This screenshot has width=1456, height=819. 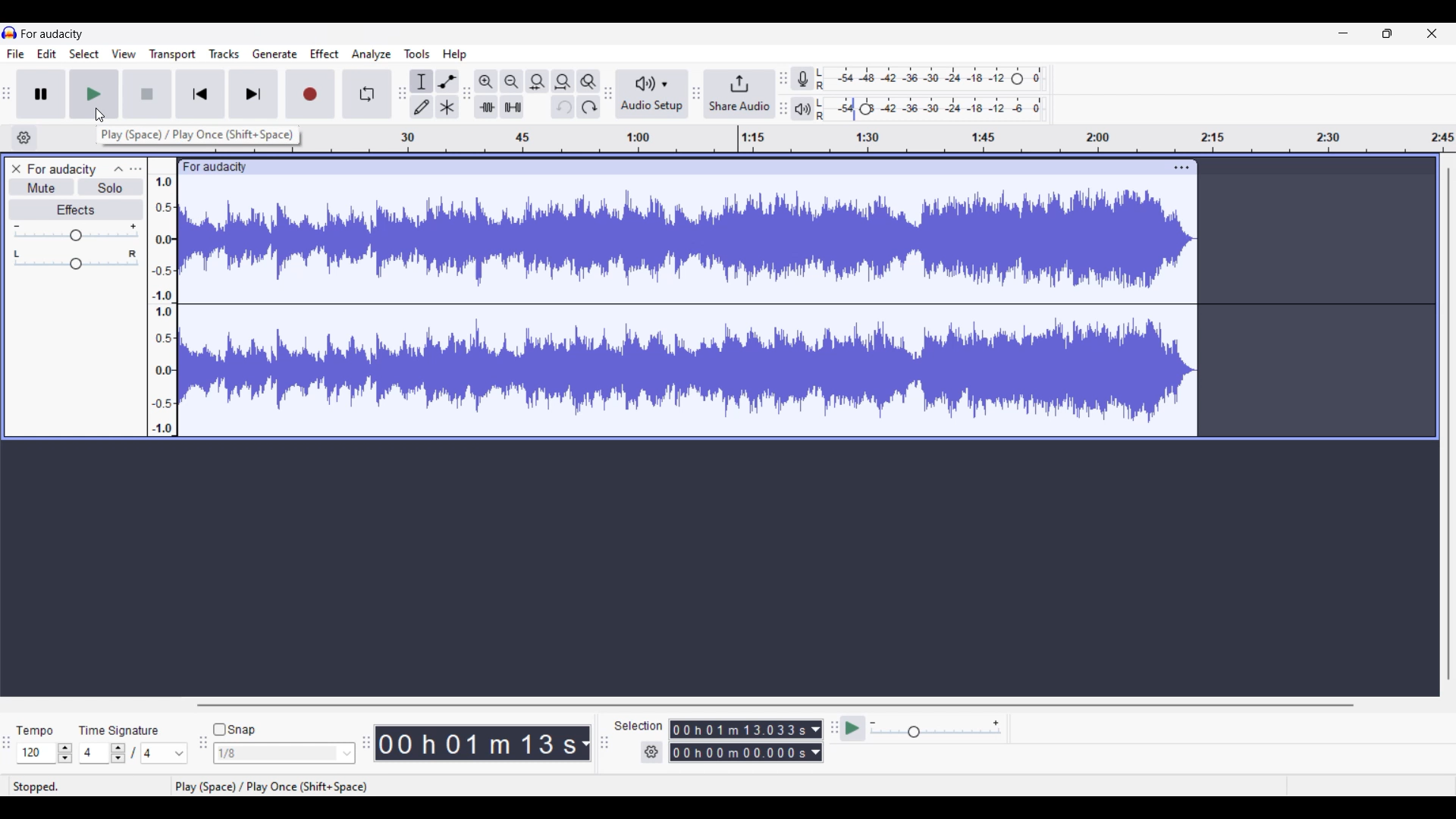 What do you see at coordinates (1181, 167) in the screenshot?
I see `Track settings` at bounding box center [1181, 167].